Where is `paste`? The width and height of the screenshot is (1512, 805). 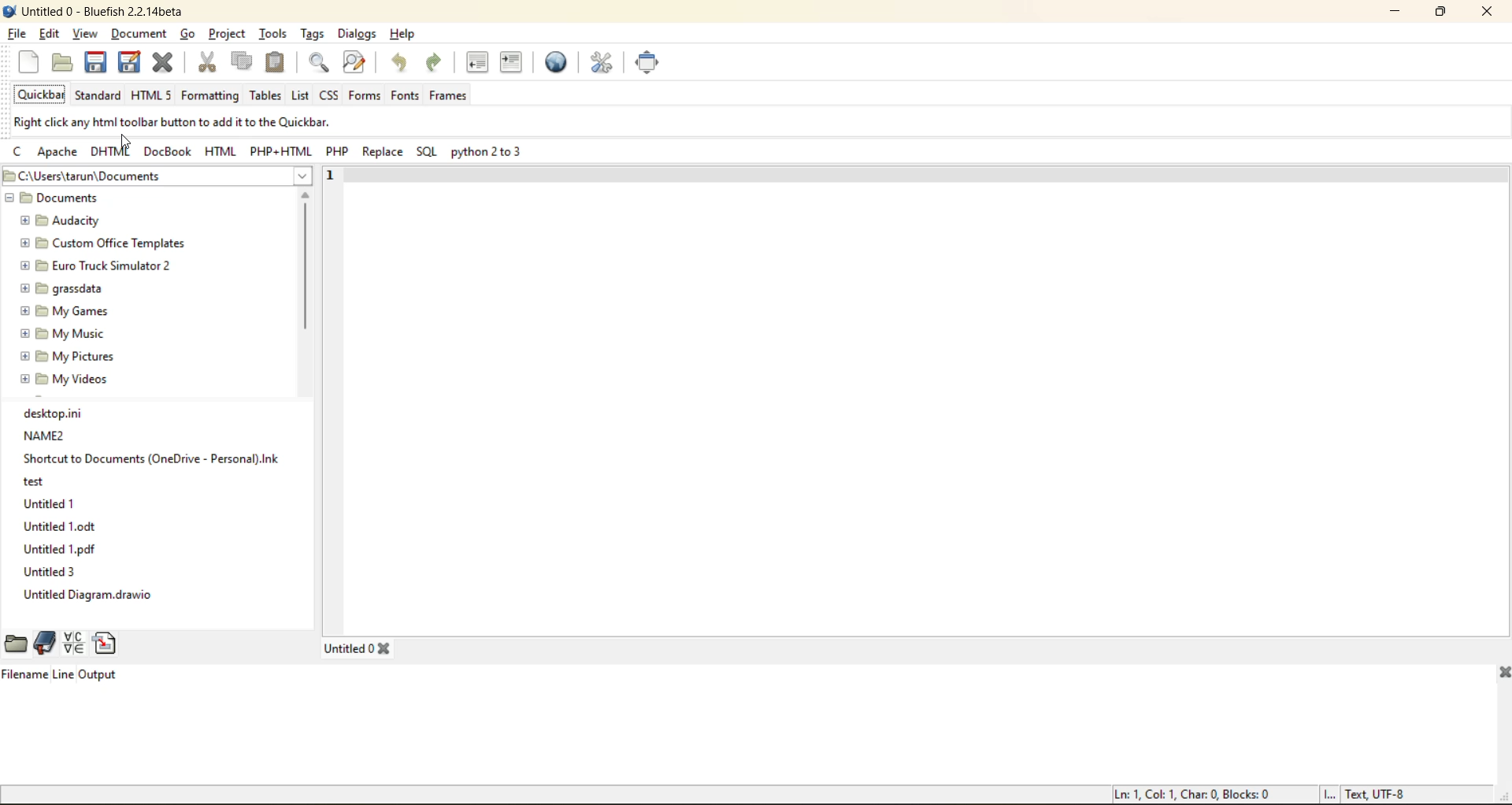 paste is located at coordinates (277, 61).